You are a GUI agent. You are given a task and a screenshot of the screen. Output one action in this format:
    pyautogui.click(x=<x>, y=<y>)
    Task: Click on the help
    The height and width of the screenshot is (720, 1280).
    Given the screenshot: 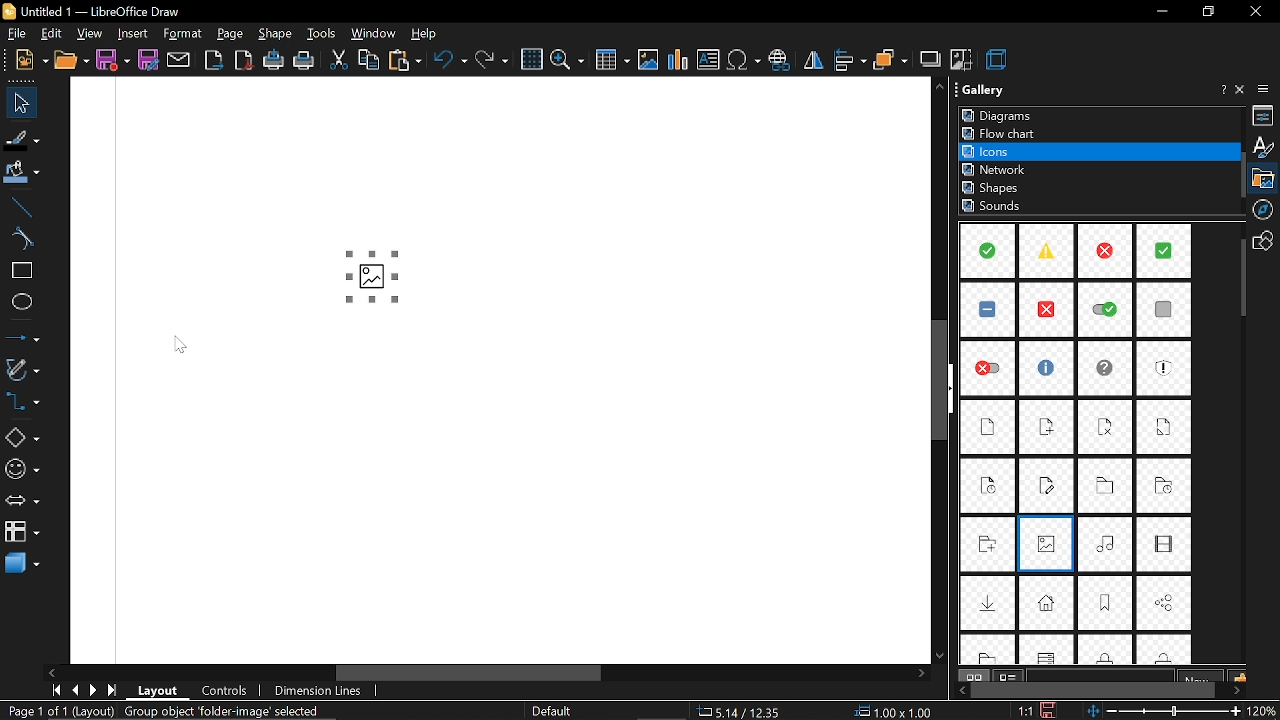 What is the action you would take?
    pyautogui.click(x=423, y=33)
    